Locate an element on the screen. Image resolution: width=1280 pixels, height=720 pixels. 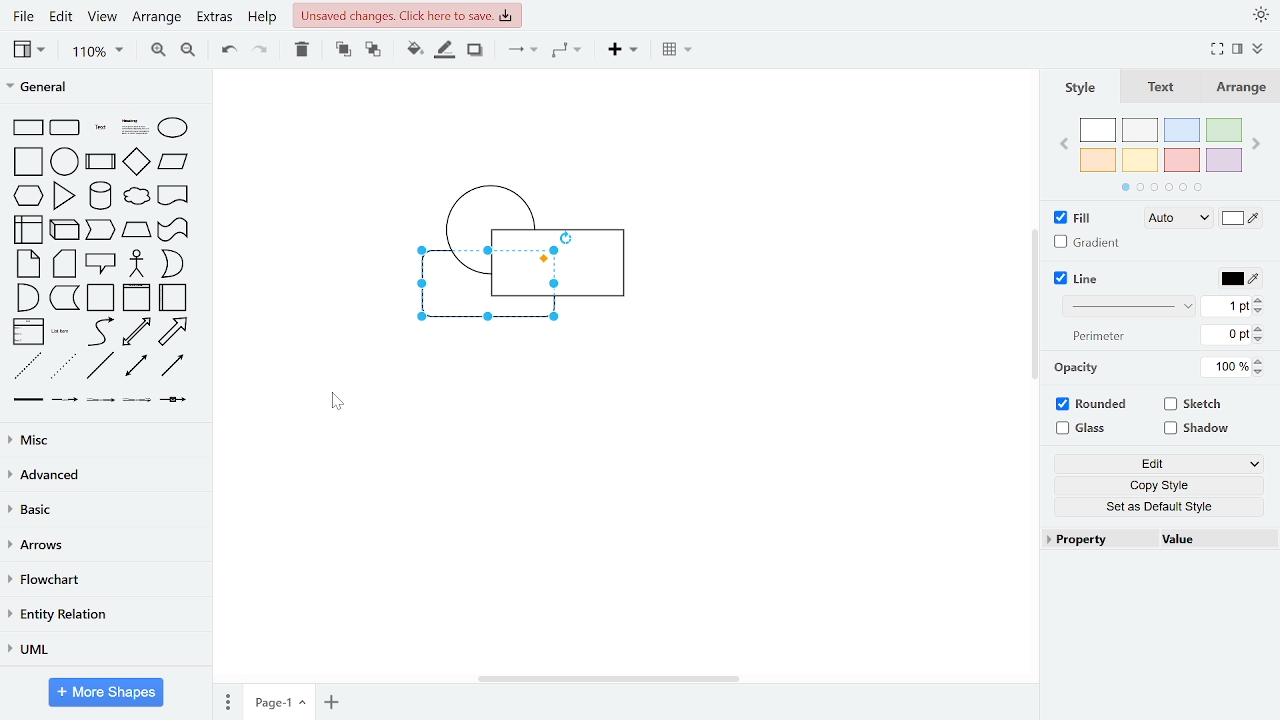
rectangle is located at coordinates (27, 128).